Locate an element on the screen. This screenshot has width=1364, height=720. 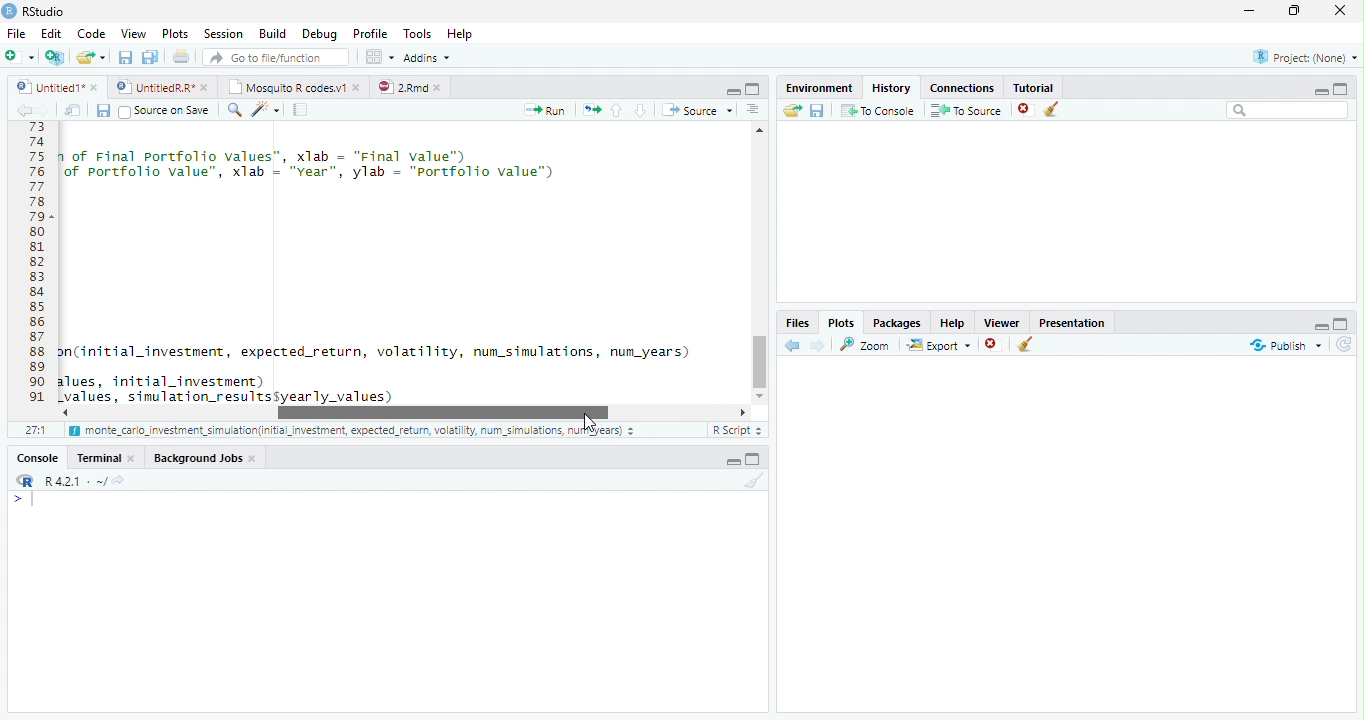
Scroll bar is located at coordinates (440, 412).